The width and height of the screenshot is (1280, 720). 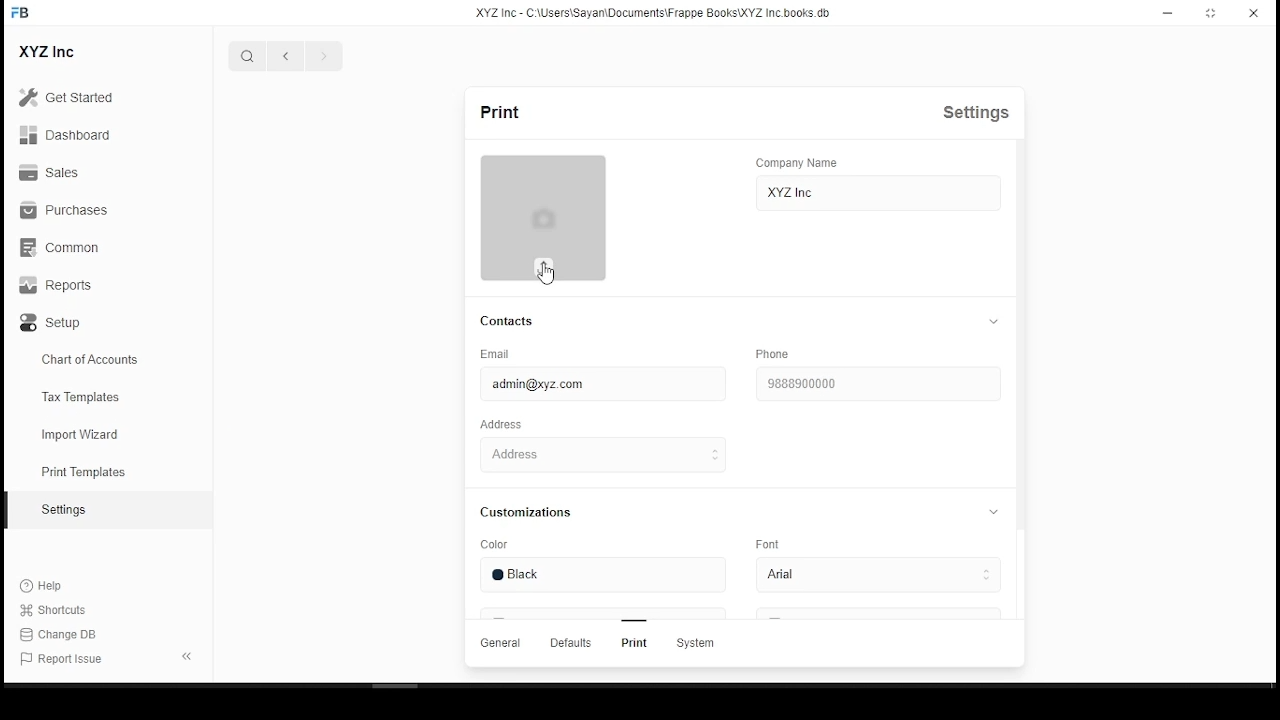 I want to click on collapse, so click(x=993, y=513).